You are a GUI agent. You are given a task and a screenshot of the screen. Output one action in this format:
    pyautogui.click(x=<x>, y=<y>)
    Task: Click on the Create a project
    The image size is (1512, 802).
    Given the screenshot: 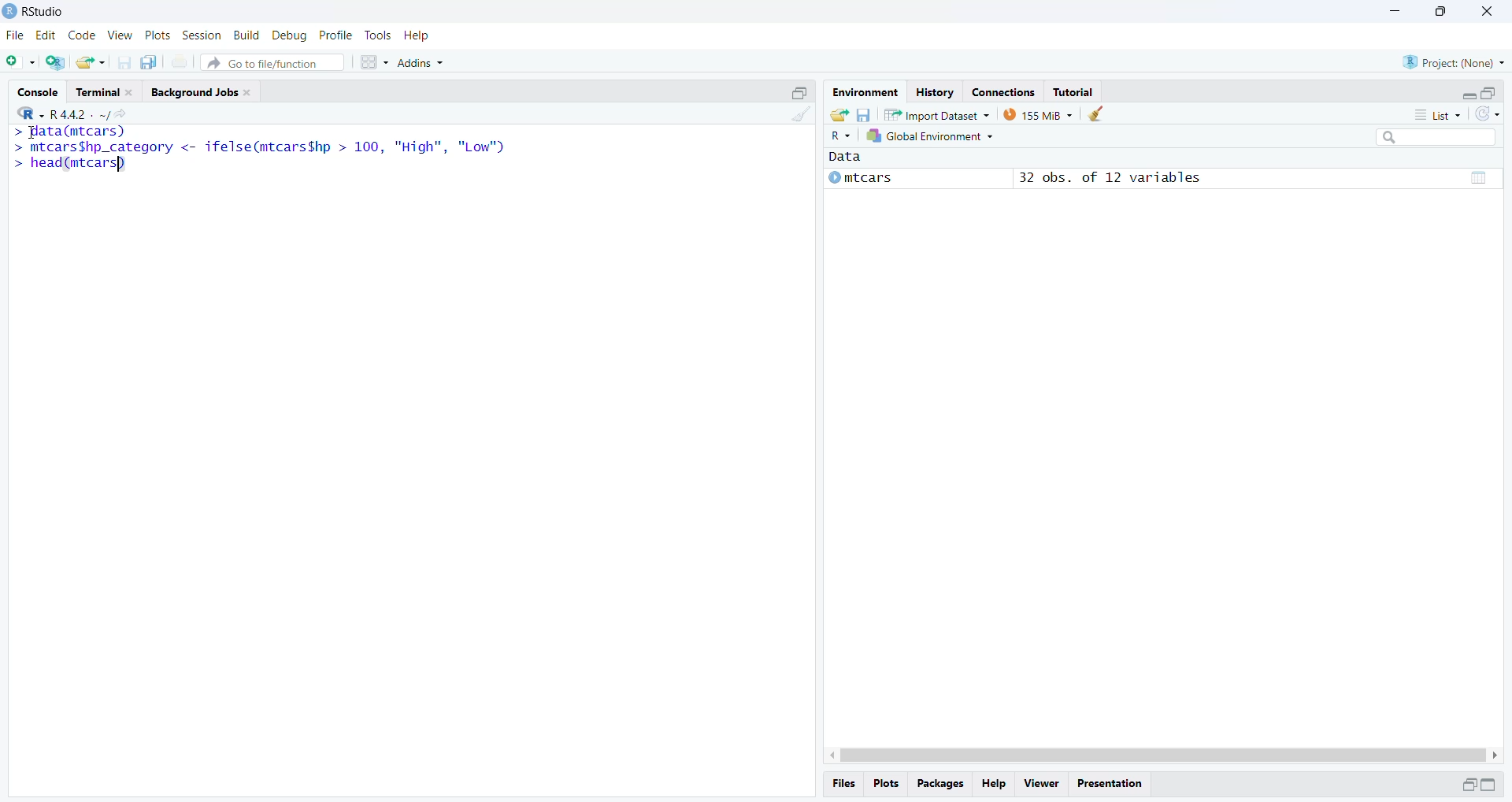 What is the action you would take?
    pyautogui.click(x=56, y=61)
    